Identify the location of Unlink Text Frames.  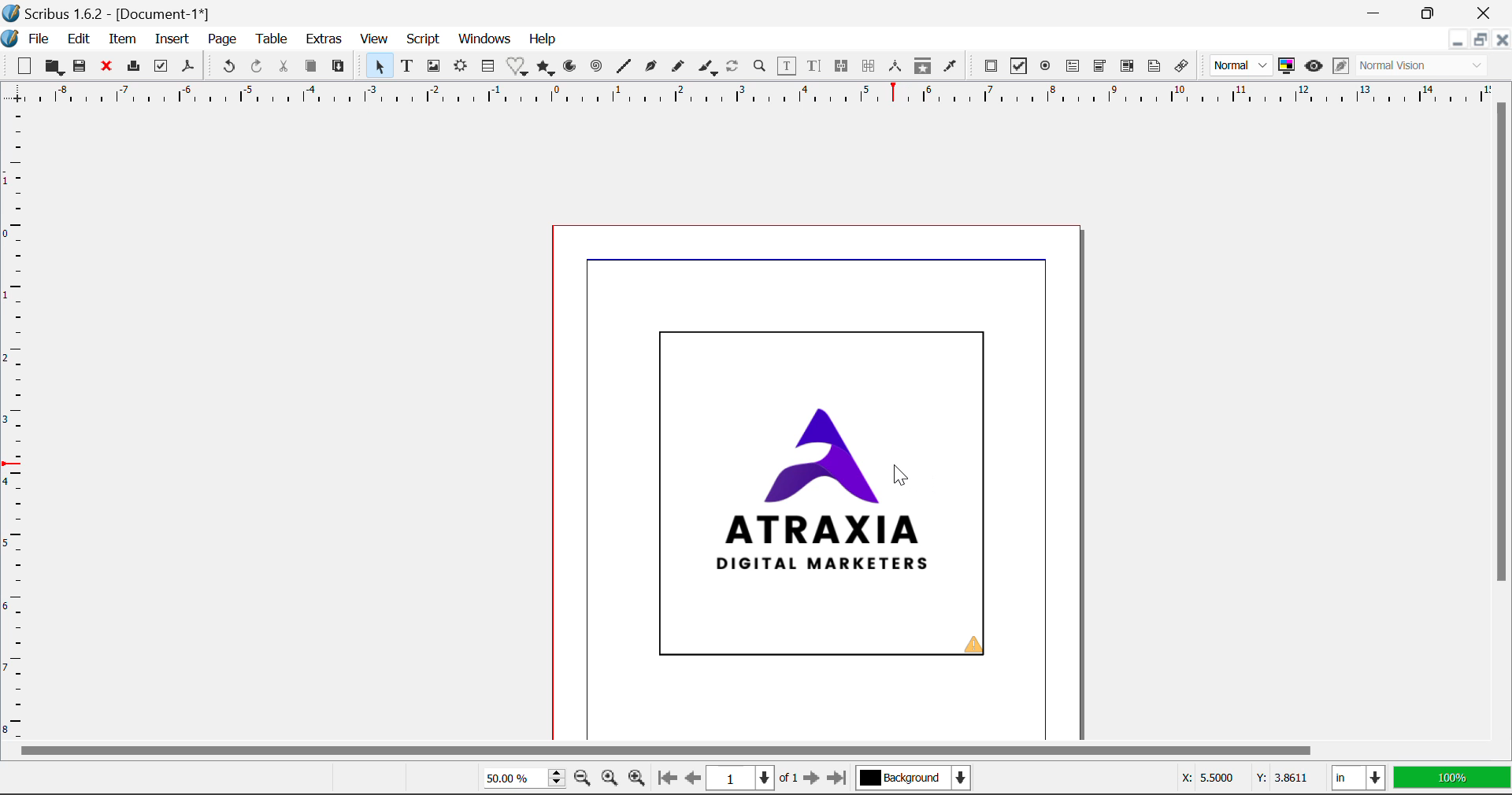
(870, 65).